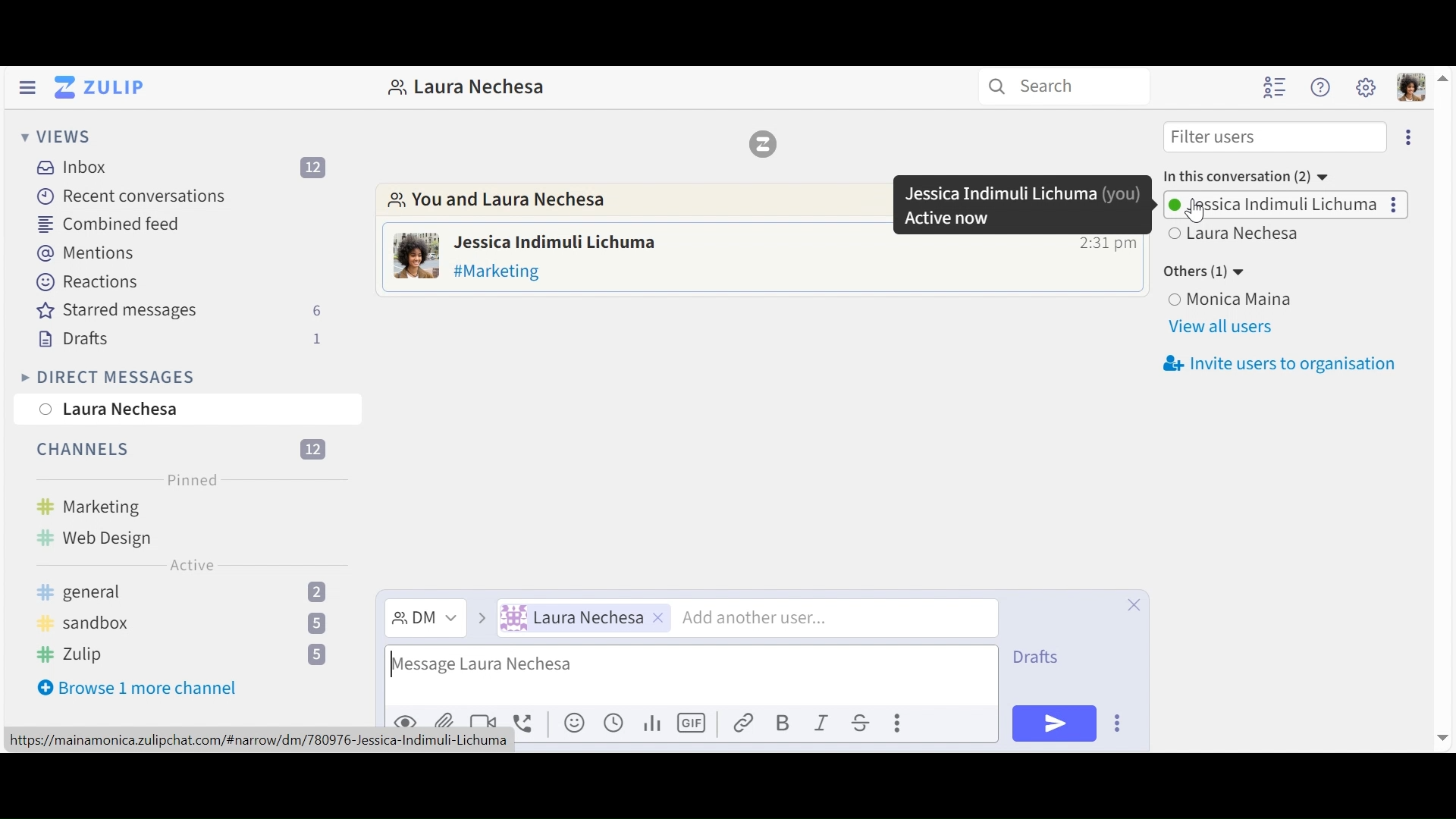  What do you see at coordinates (1053, 723) in the screenshot?
I see `Send` at bounding box center [1053, 723].